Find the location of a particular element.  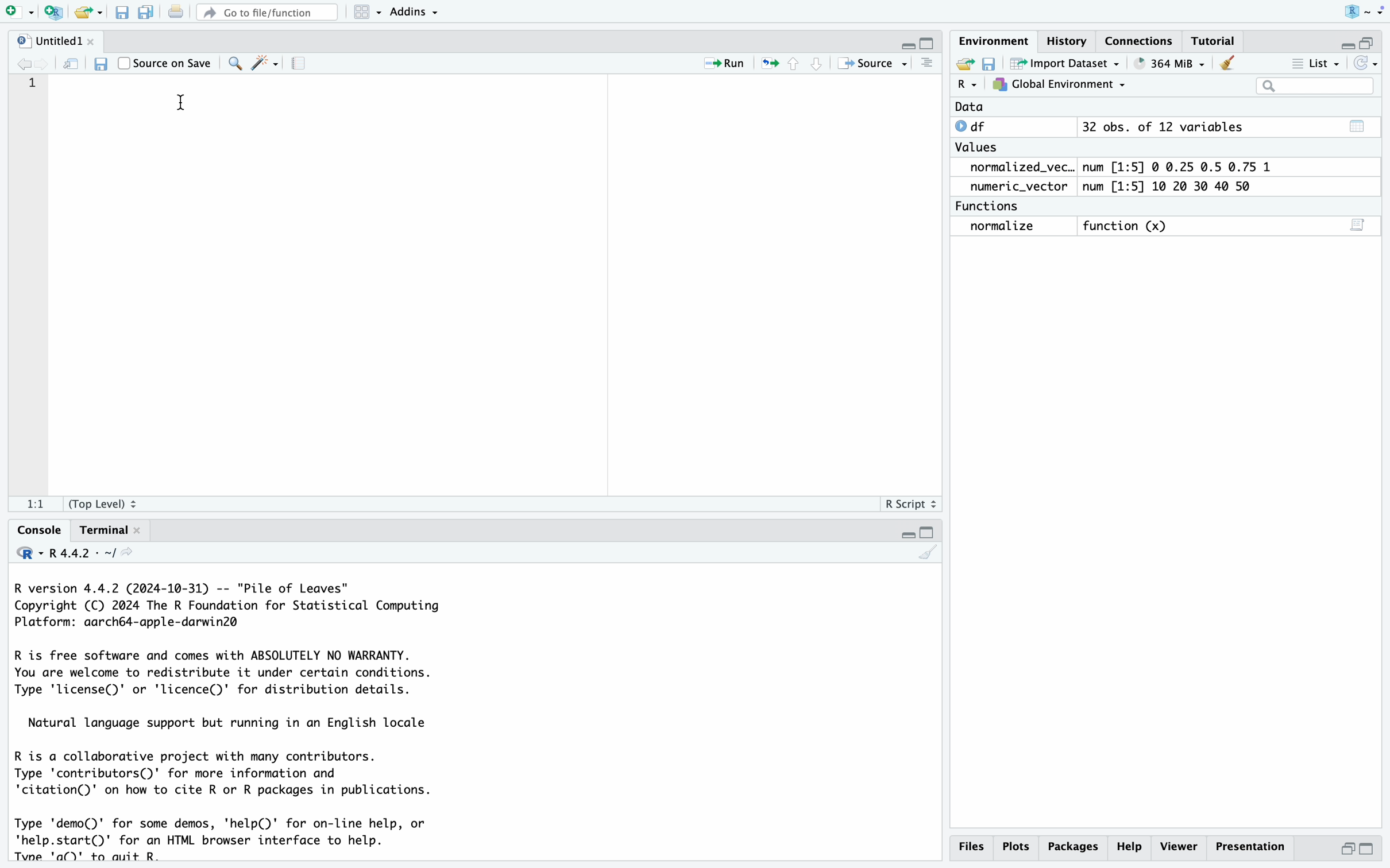

Save is located at coordinates (99, 63).